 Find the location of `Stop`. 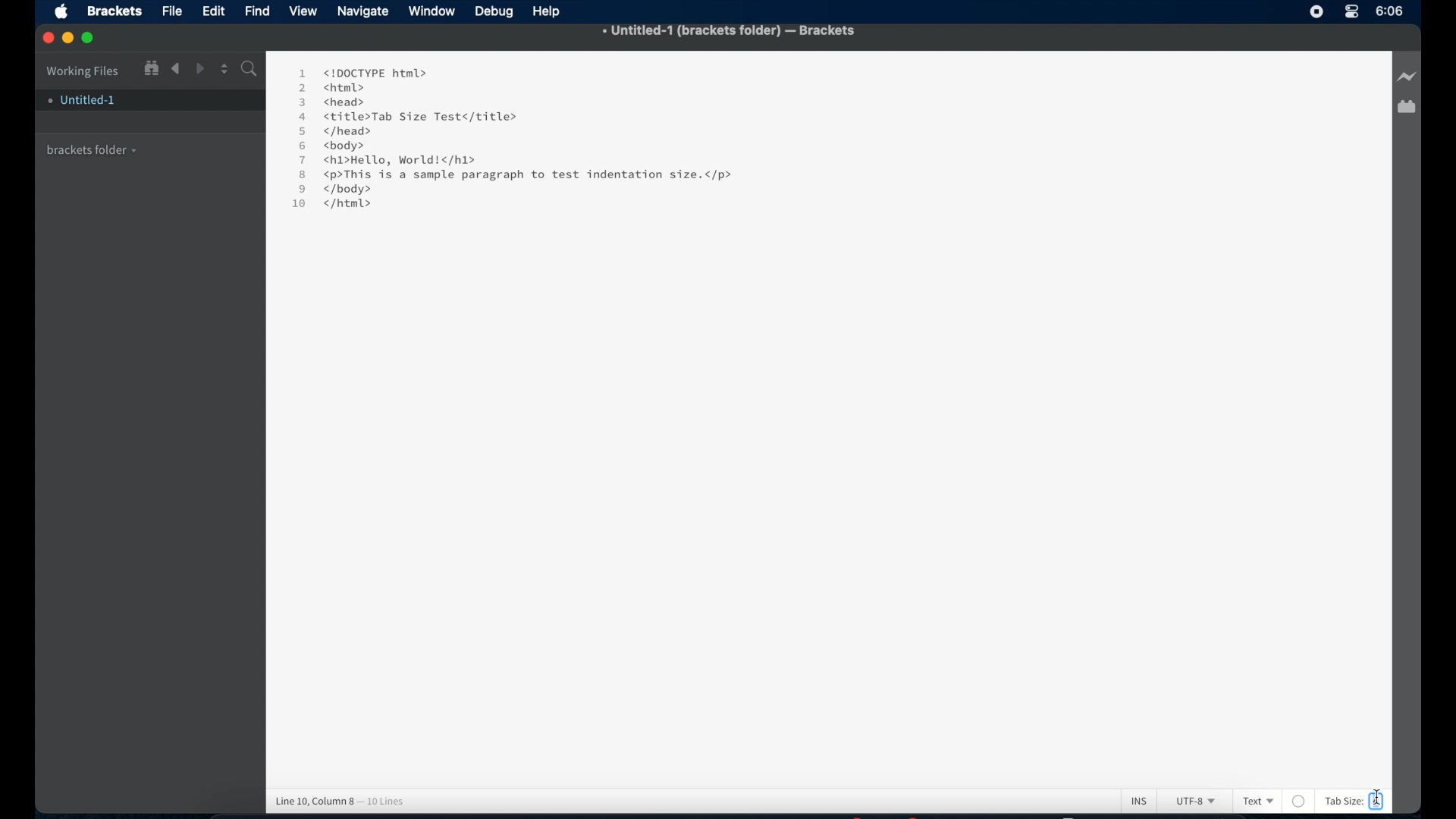

Stop is located at coordinates (1316, 11).